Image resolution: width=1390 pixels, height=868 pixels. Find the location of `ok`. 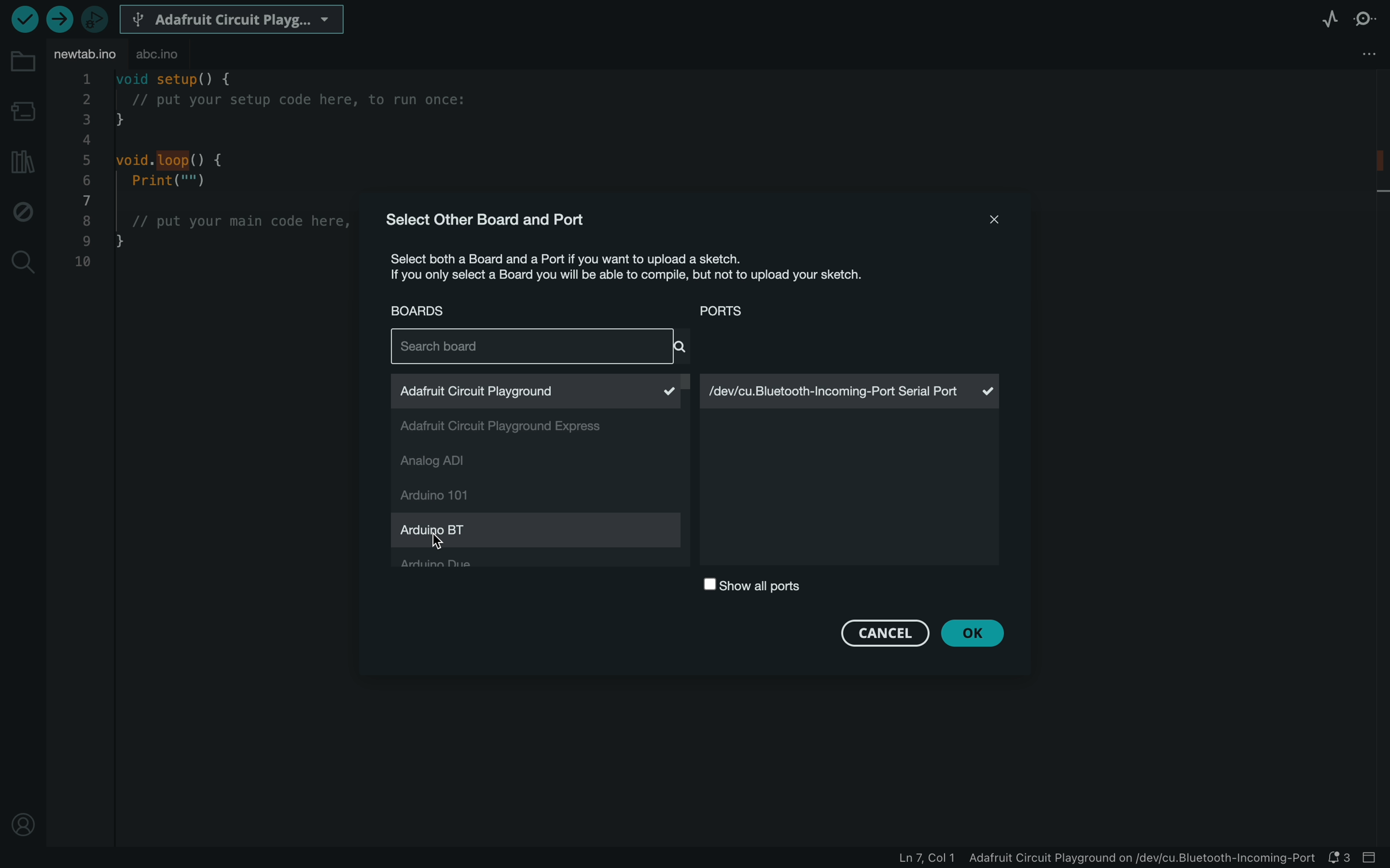

ok is located at coordinates (976, 633).